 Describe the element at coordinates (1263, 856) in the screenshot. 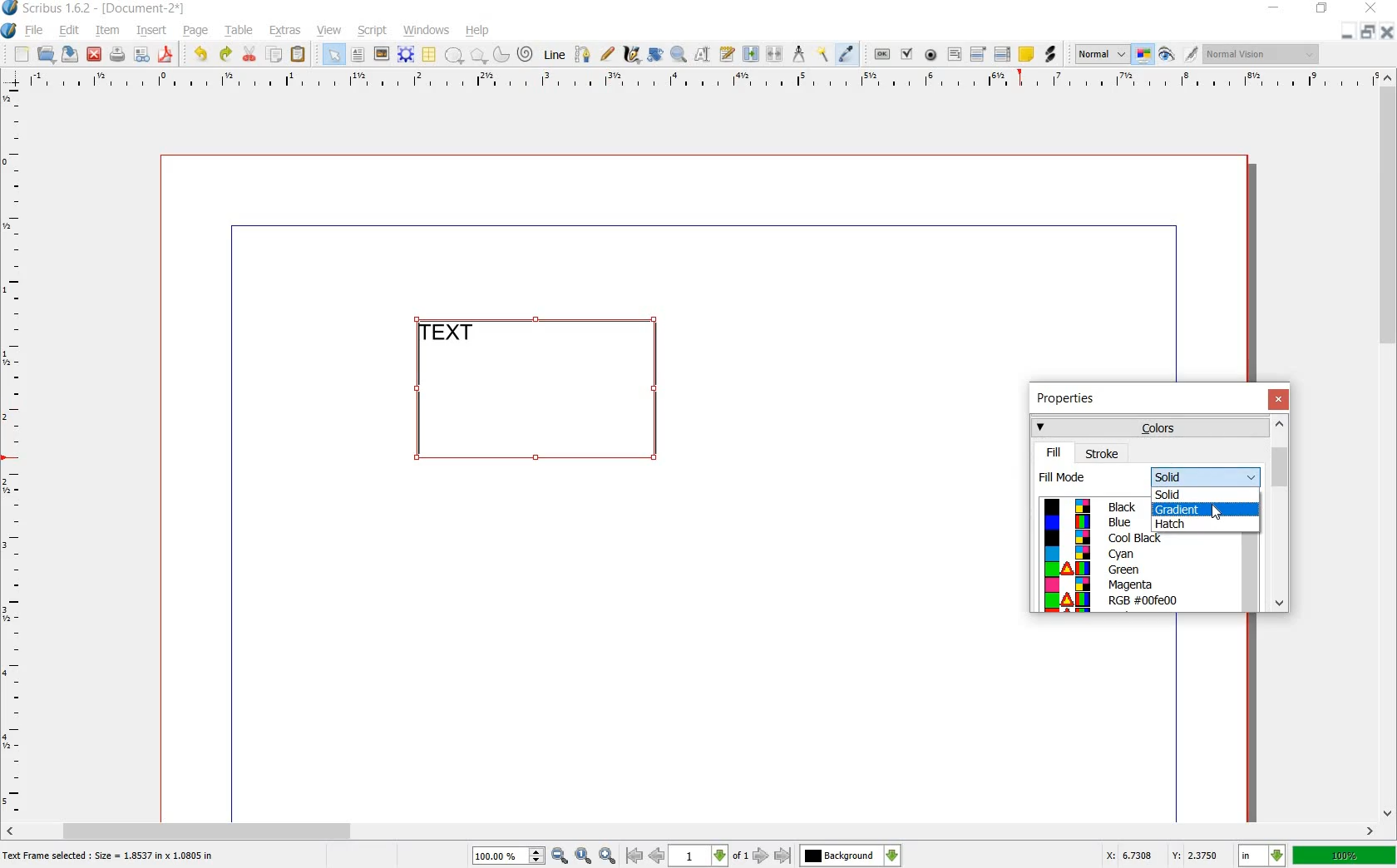

I see `in` at that location.